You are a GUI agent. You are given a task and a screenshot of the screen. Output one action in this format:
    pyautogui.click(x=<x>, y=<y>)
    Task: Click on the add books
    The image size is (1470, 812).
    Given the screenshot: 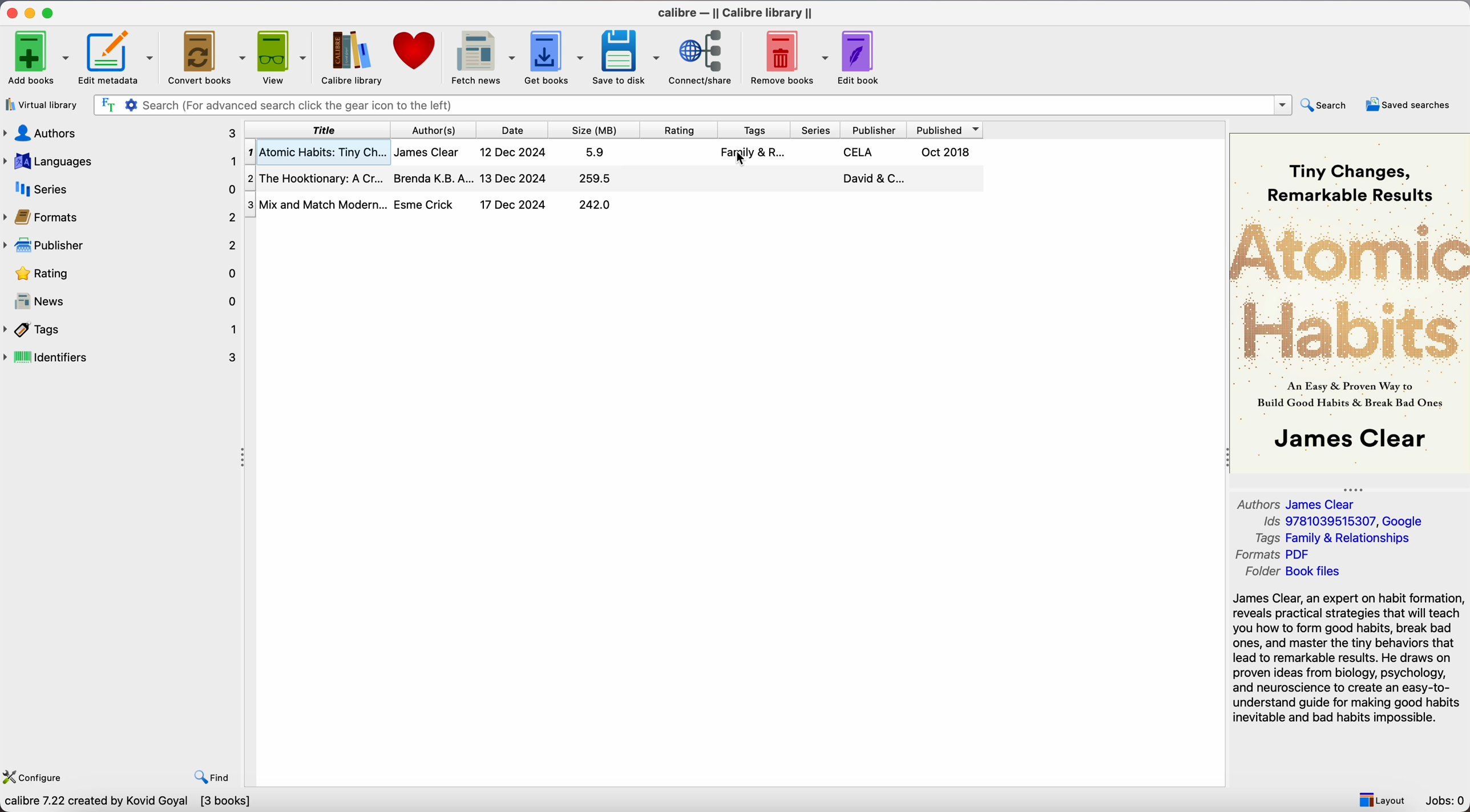 What is the action you would take?
    pyautogui.click(x=37, y=58)
    